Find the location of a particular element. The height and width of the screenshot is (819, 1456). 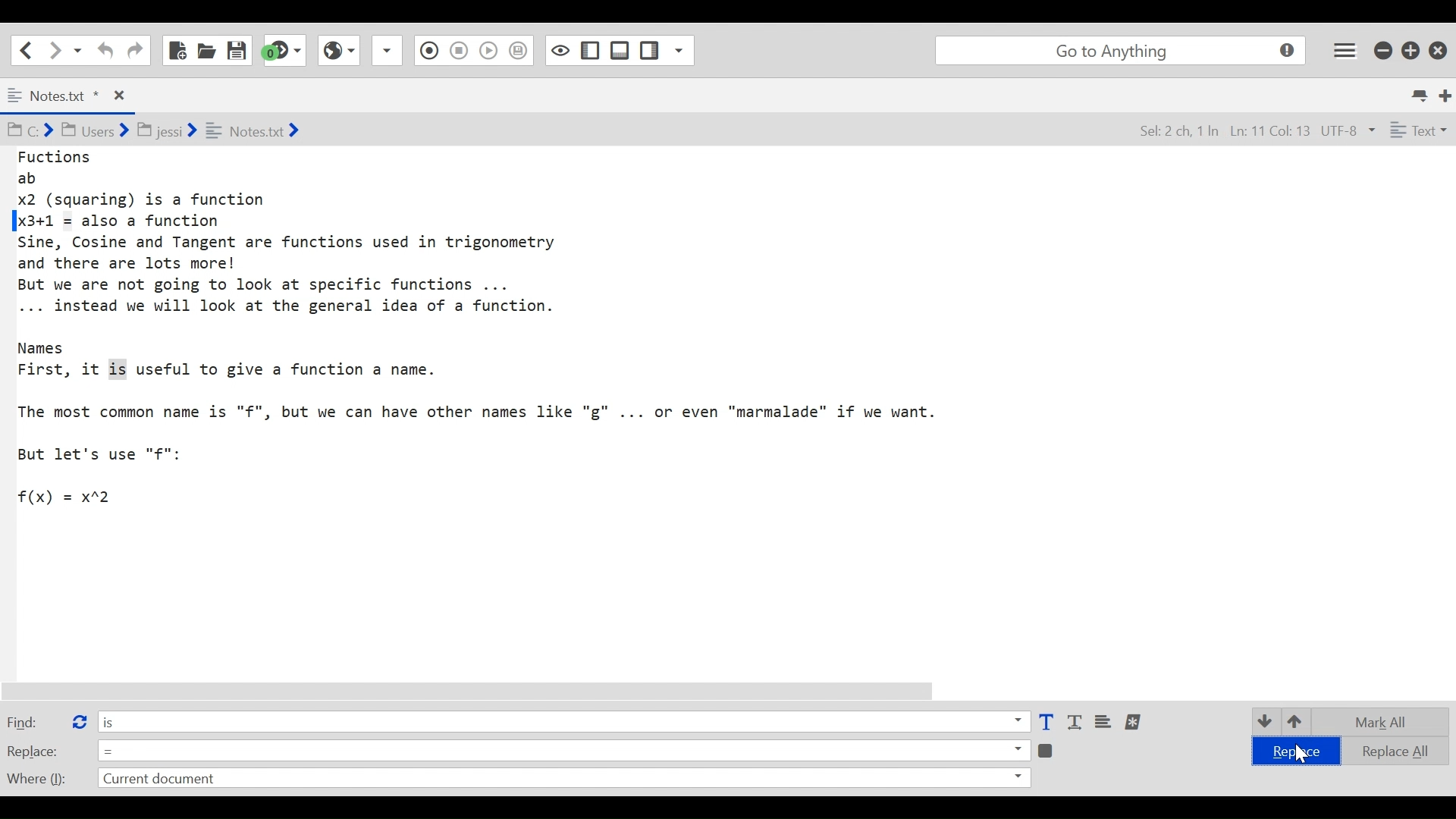

match case is located at coordinates (1046, 723).